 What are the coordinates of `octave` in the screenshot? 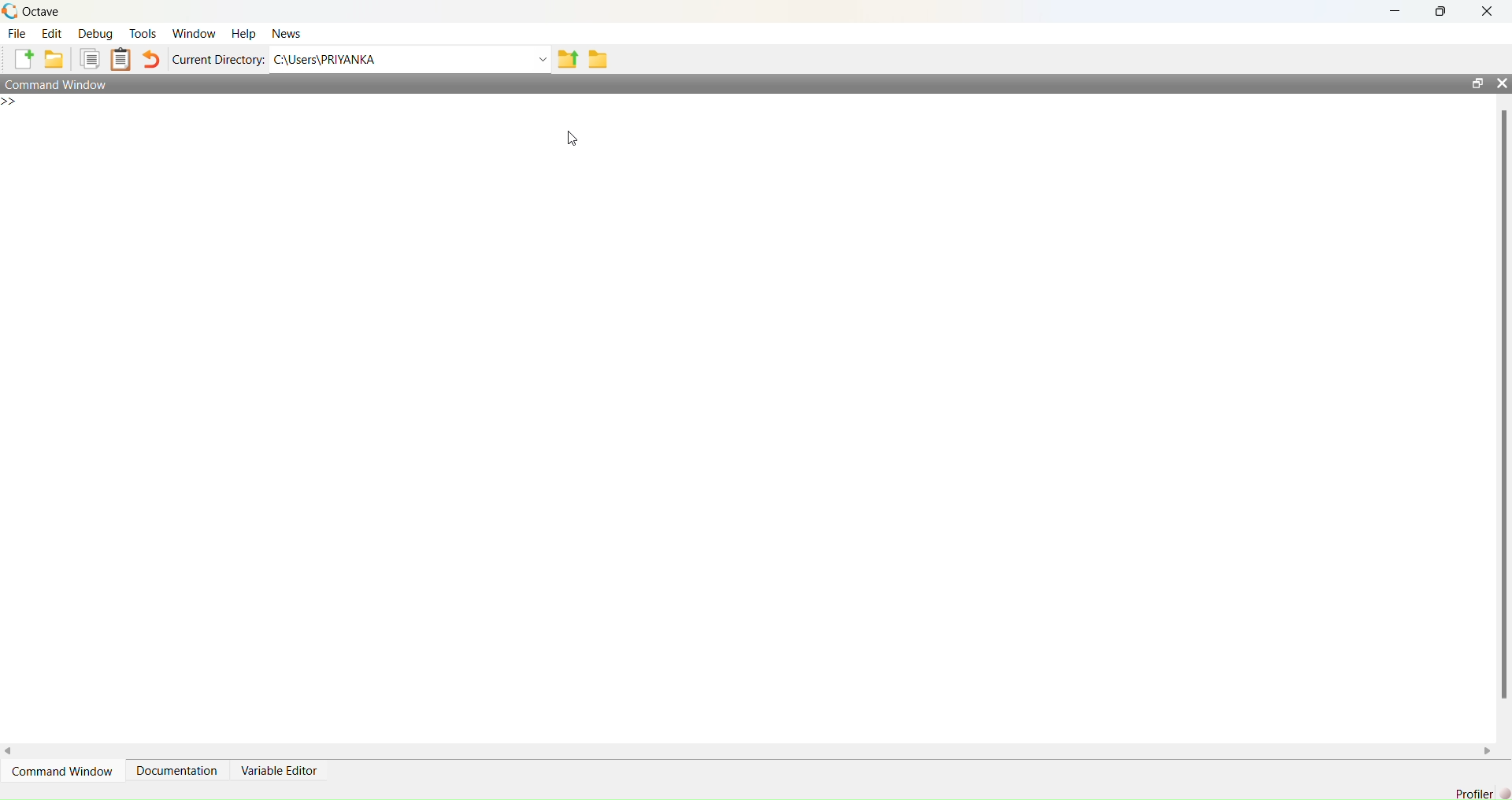 It's located at (43, 12).